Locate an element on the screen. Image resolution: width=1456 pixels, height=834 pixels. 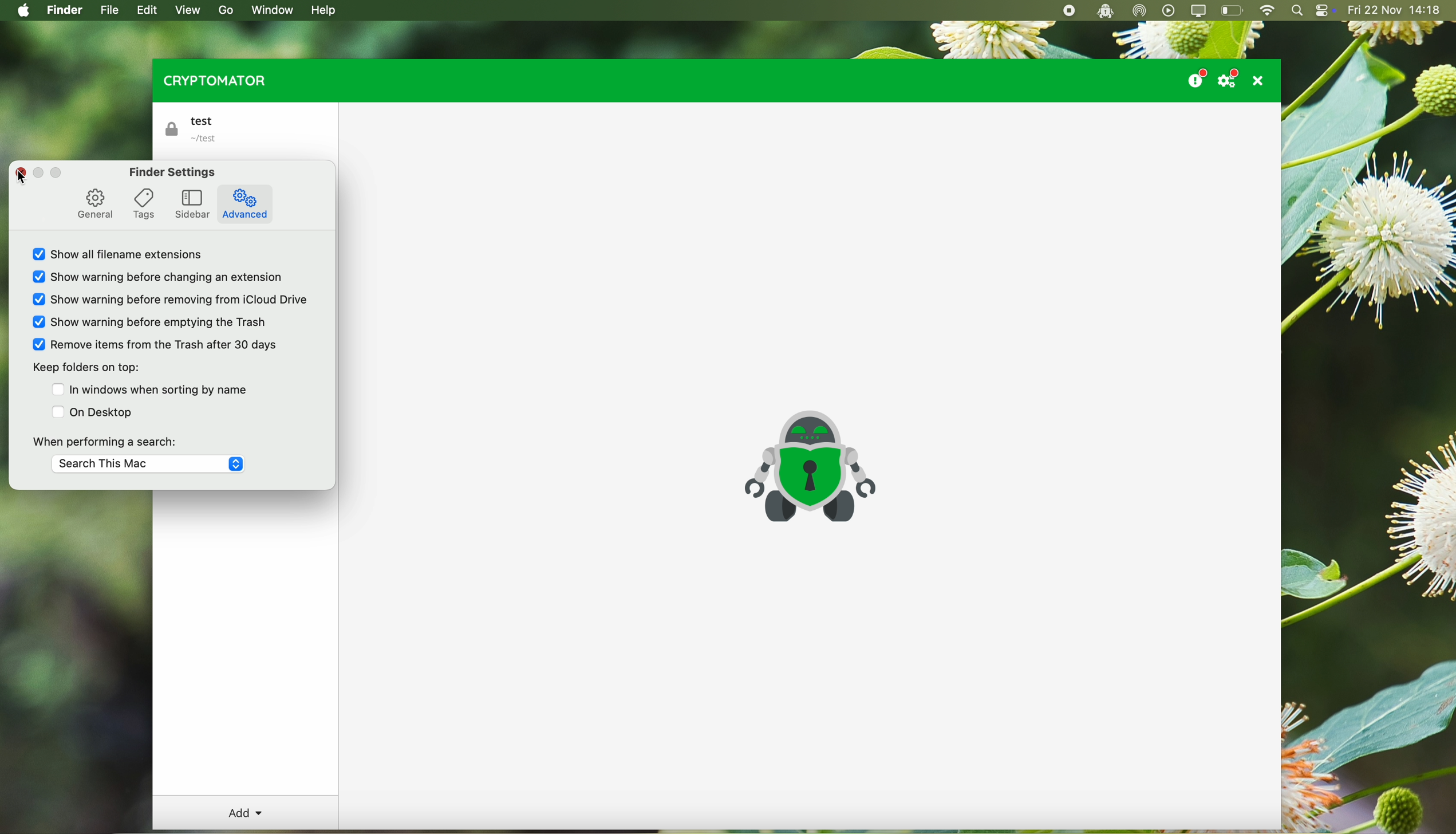
Remove items from the Trash after 30 days is located at coordinates (156, 345).